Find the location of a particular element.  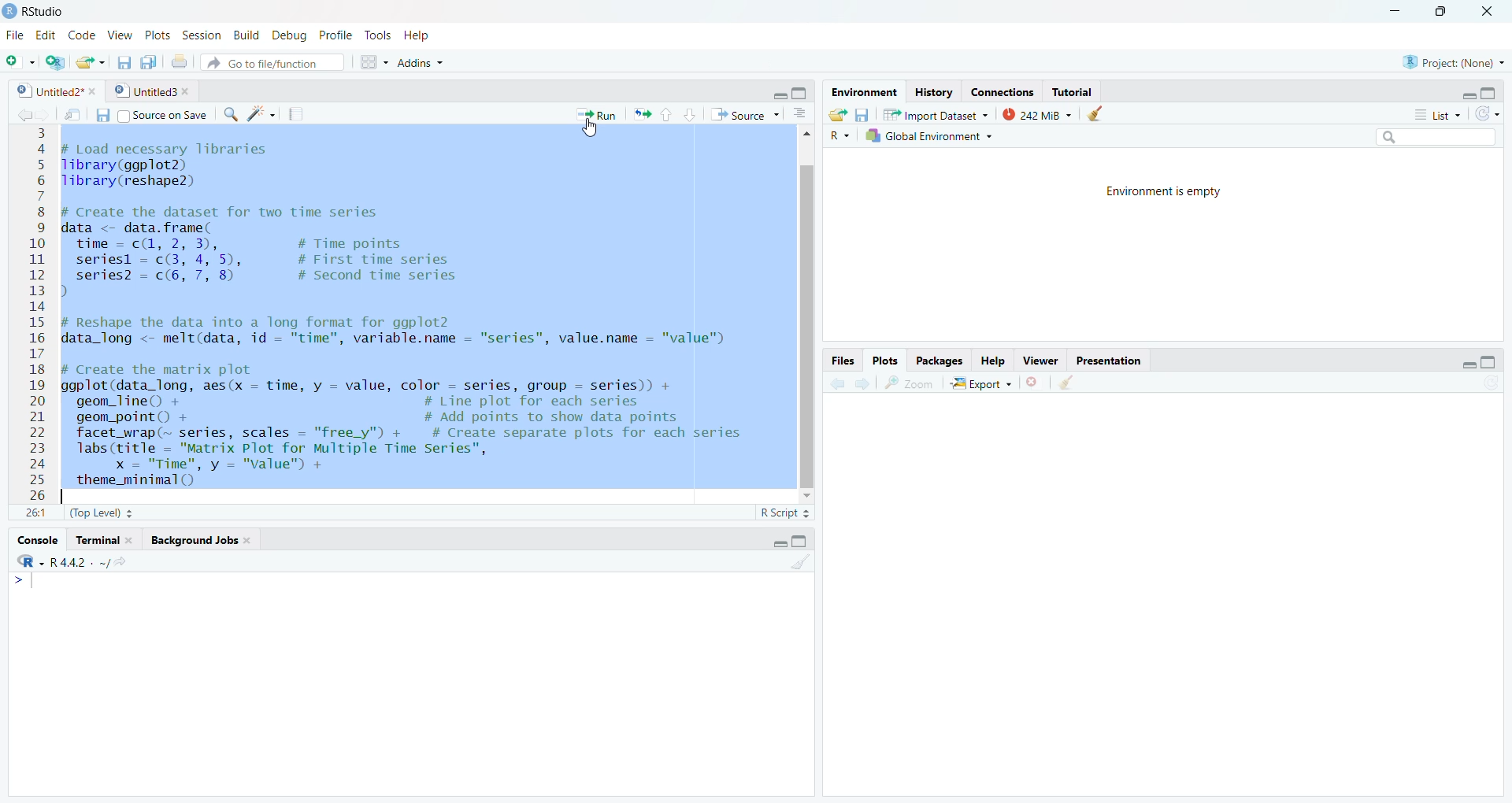

Project: (None)  is located at coordinates (1453, 61).